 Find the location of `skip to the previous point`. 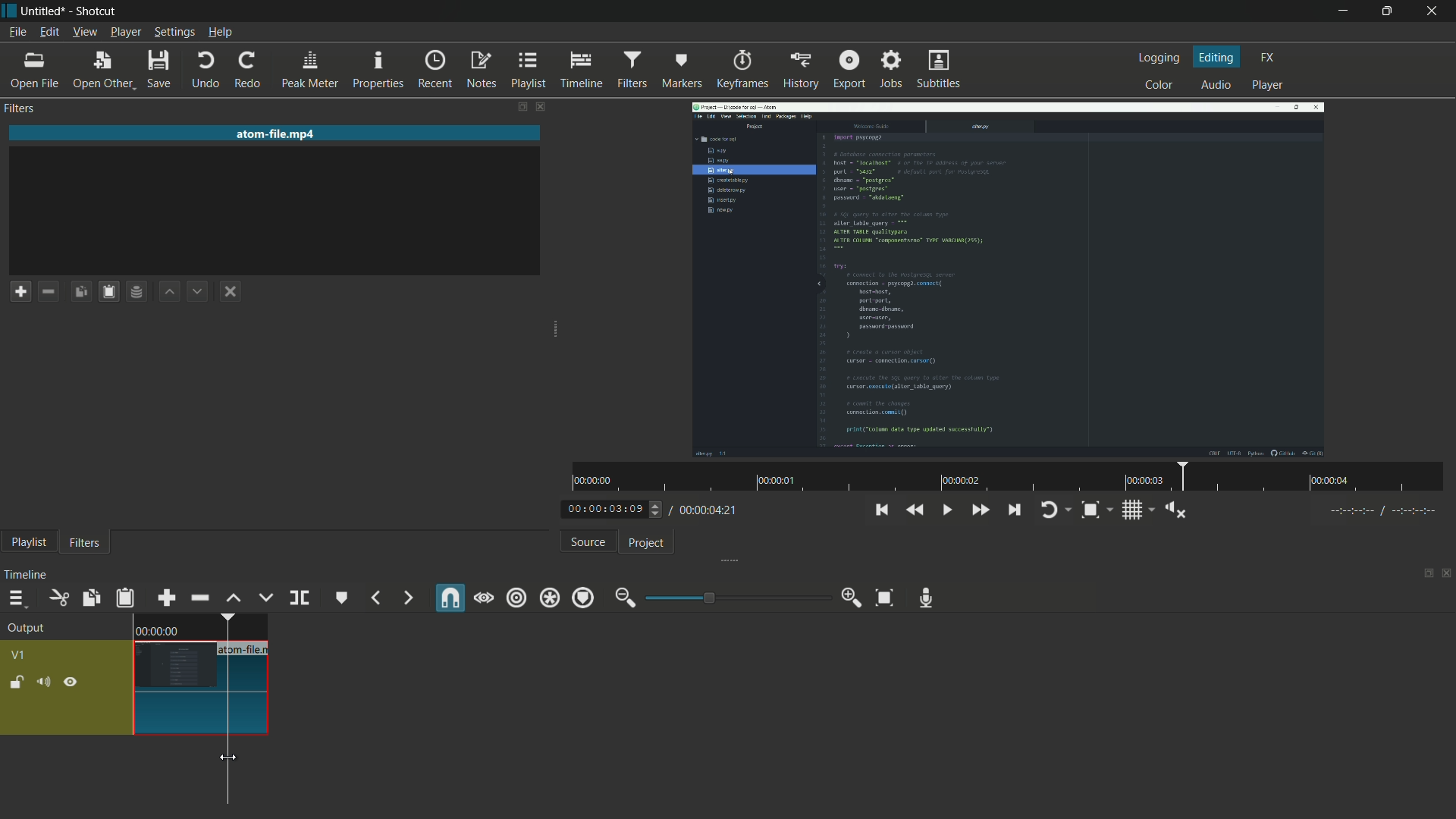

skip to the previous point is located at coordinates (886, 510).